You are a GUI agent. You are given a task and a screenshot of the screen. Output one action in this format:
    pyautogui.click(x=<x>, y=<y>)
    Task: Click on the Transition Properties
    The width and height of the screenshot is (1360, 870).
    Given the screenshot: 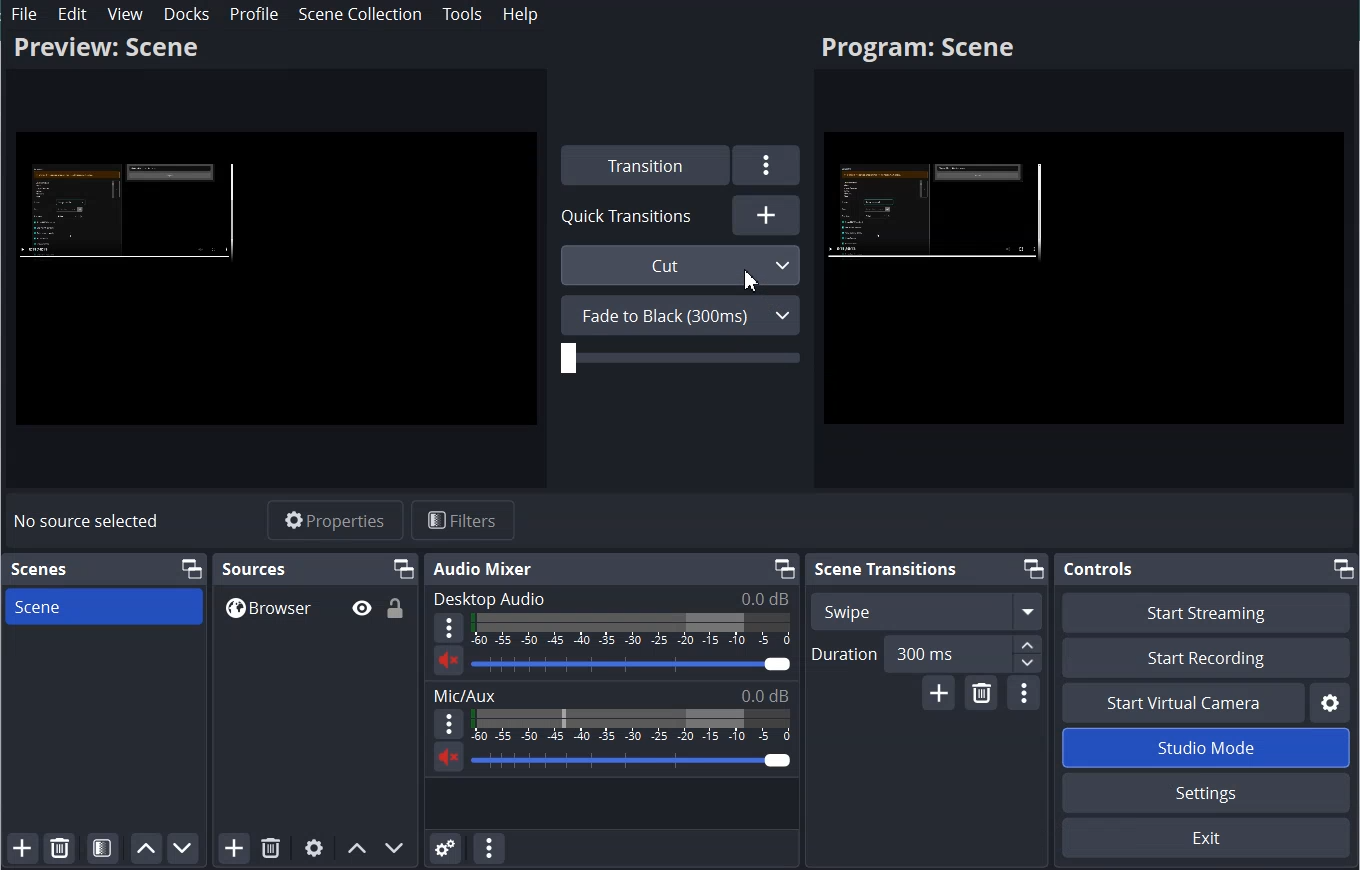 What is the action you would take?
    pyautogui.click(x=1023, y=694)
    